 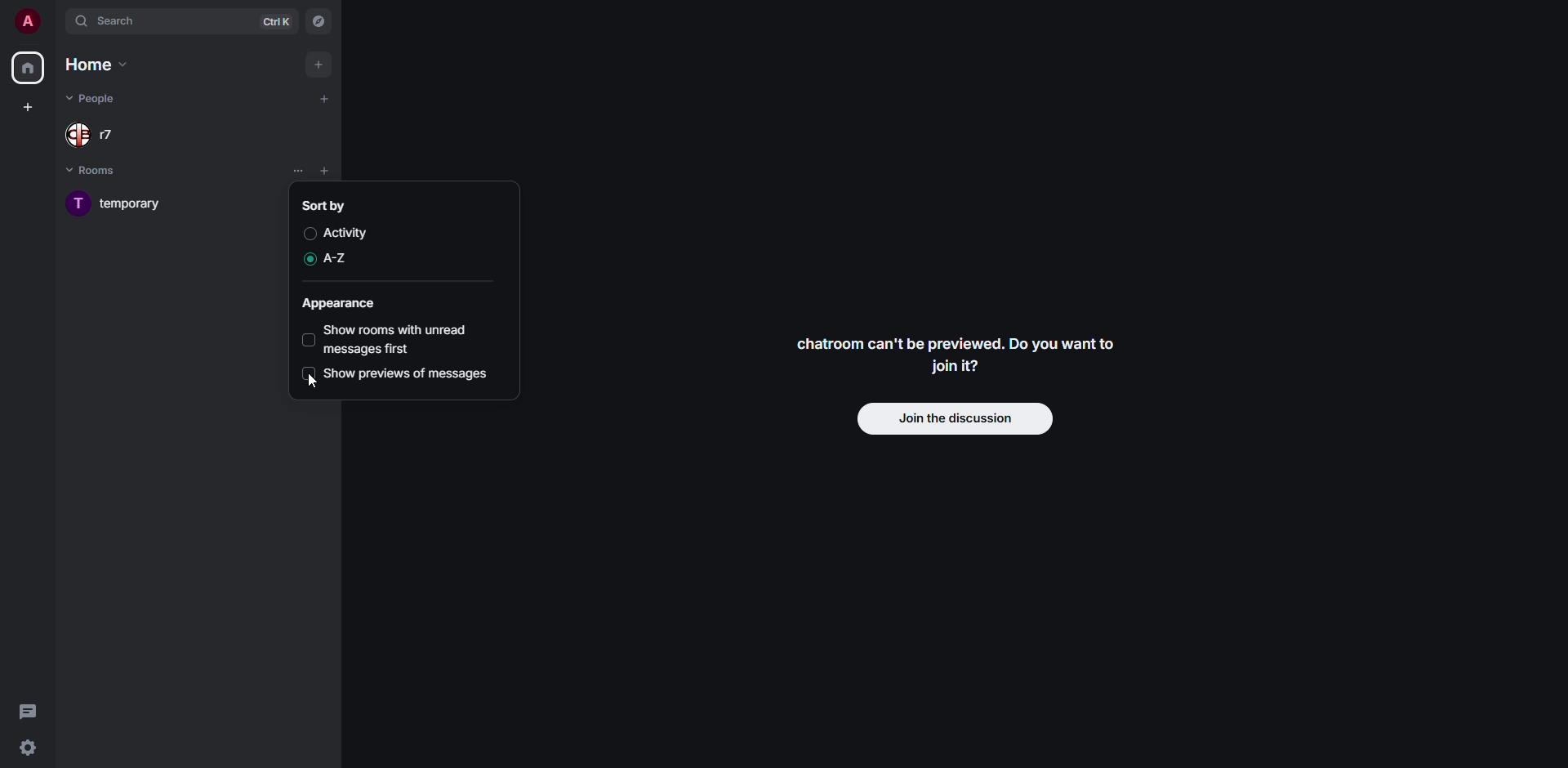 I want to click on navigator, so click(x=318, y=21).